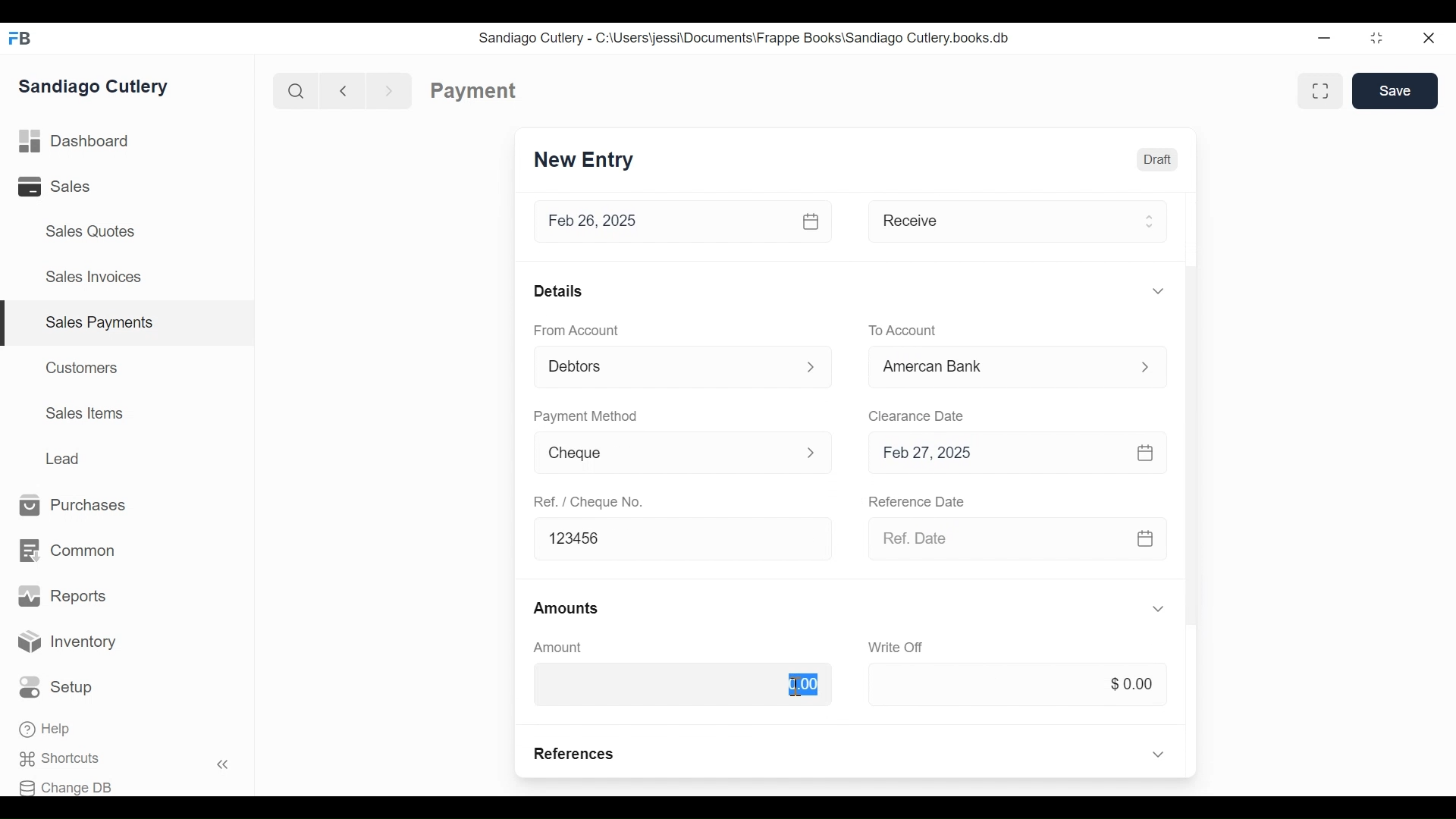 The image size is (1456, 819). What do you see at coordinates (1189, 446) in the screenshot?
I see `Vertical Scroll bar` at bounding box center [1189, 446].